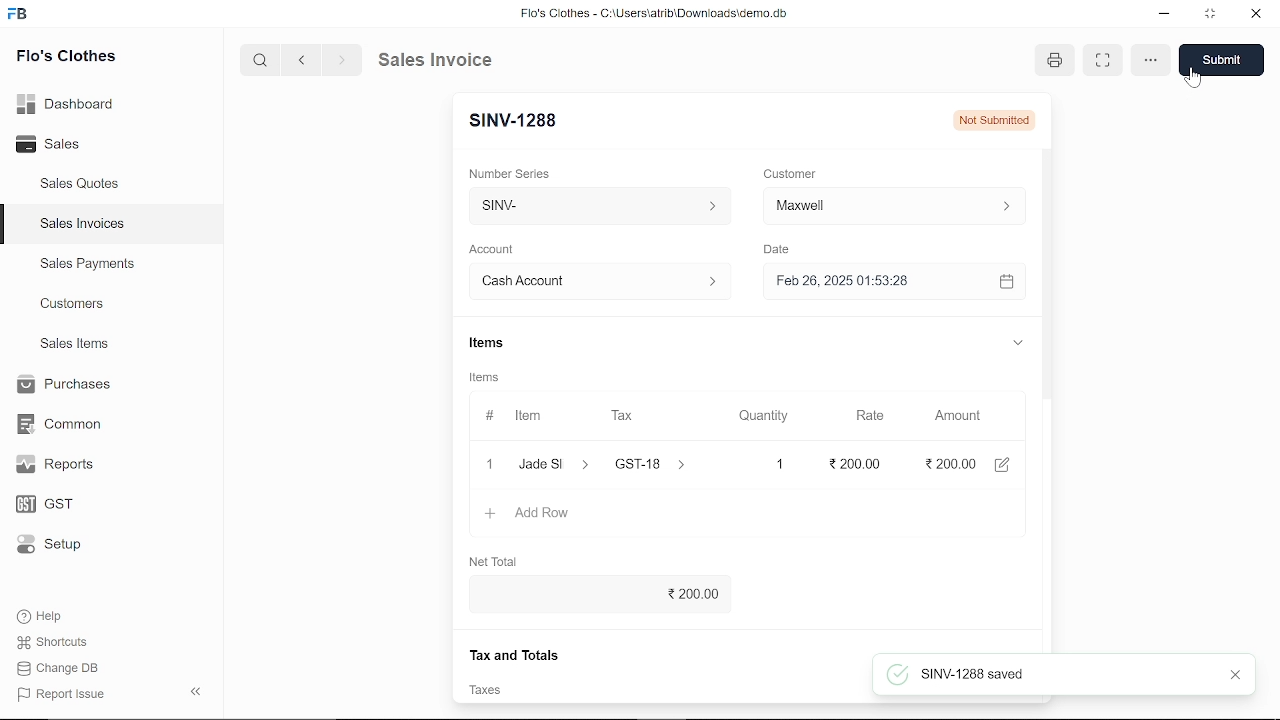 The height and width of the screenshot is (720, 1280). What do you see at coordinates (1238, 676) in the screenshot?
I see `close` at bounding box center [1238, 676].